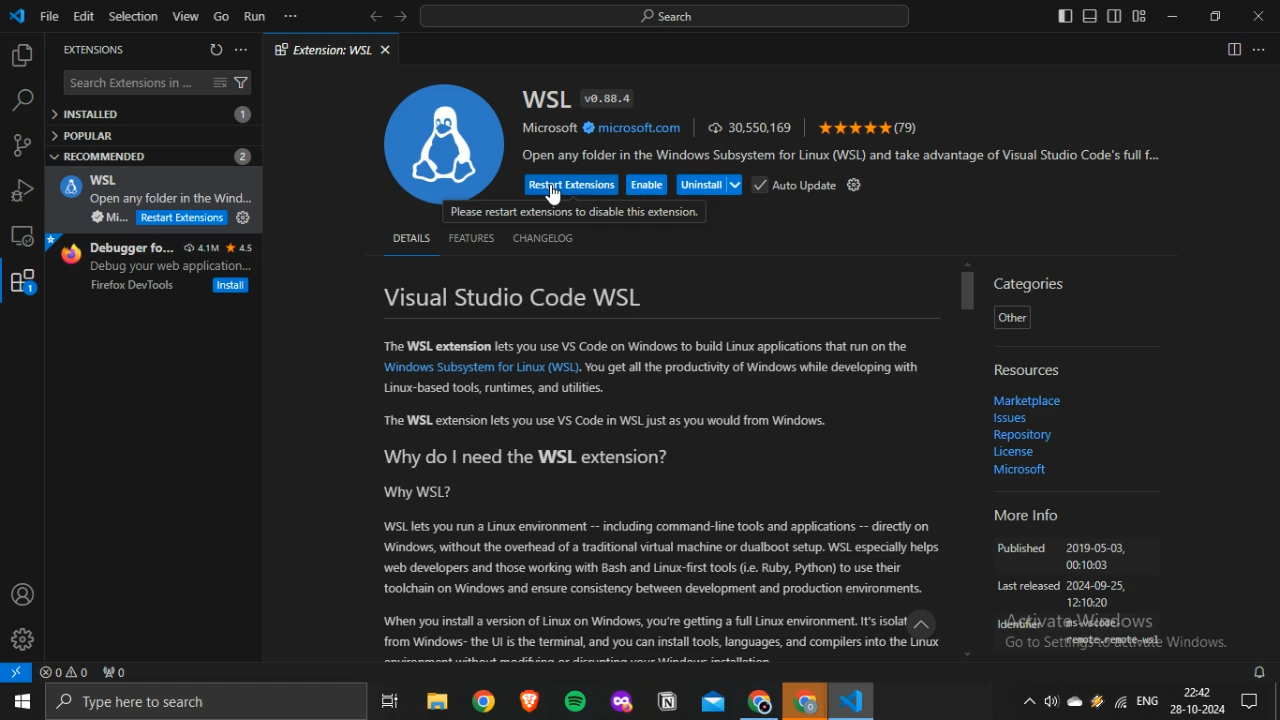 The image size is (1280, 720). I want to click on clear, so click(219, 82).